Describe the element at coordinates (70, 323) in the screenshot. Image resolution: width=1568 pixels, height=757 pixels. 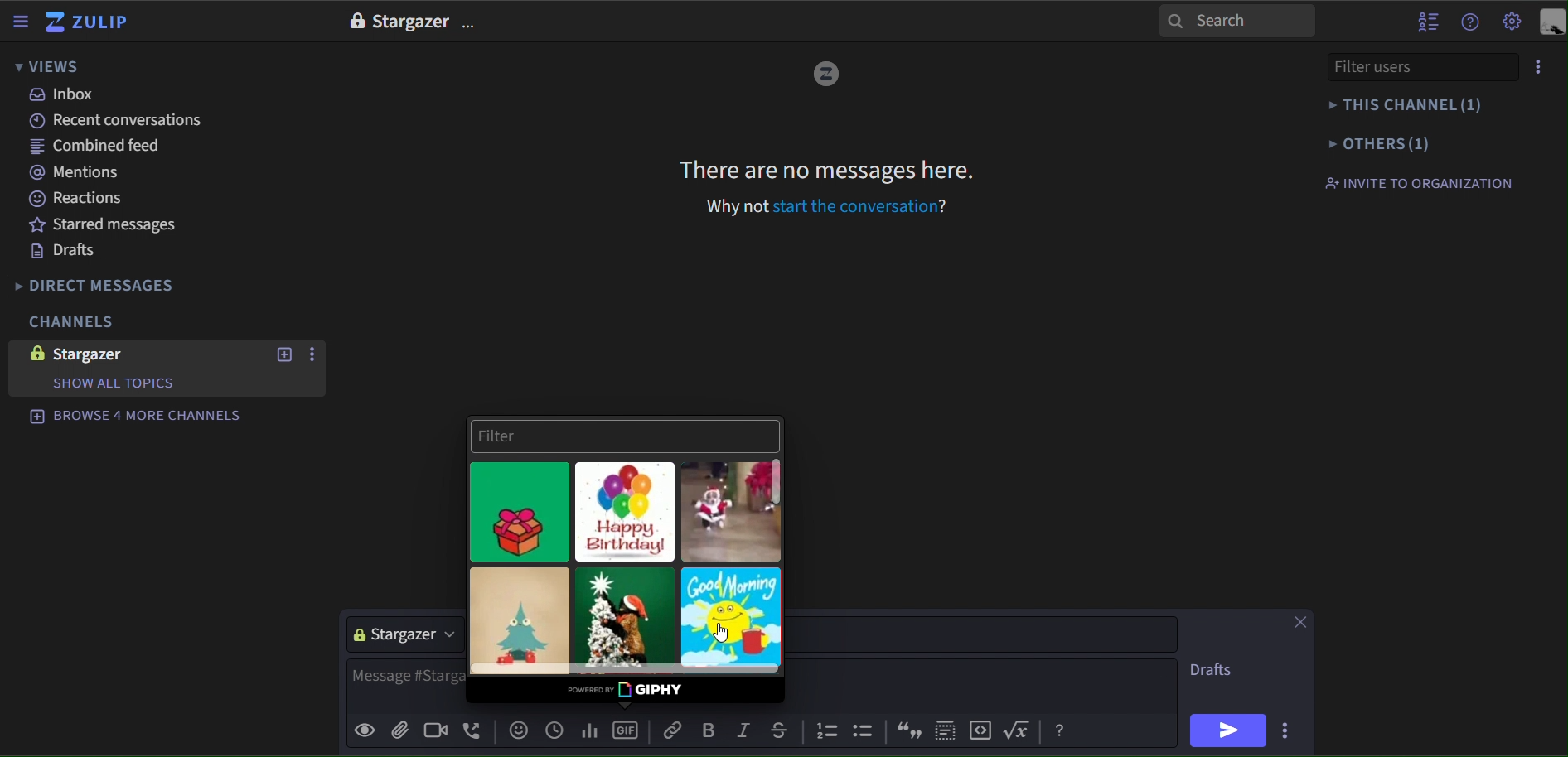
I see `channels` at that location.